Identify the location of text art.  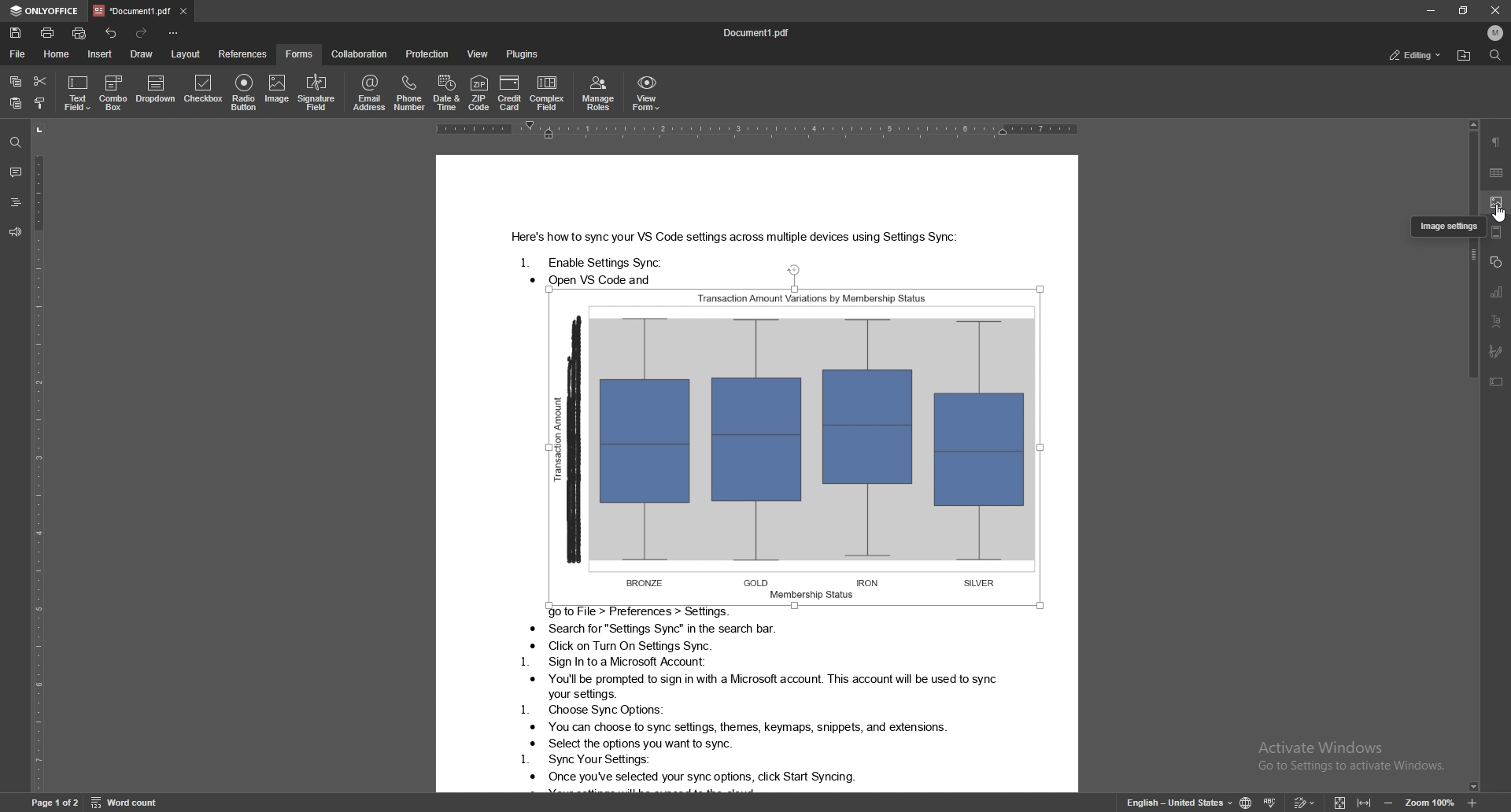
(1498, 320).